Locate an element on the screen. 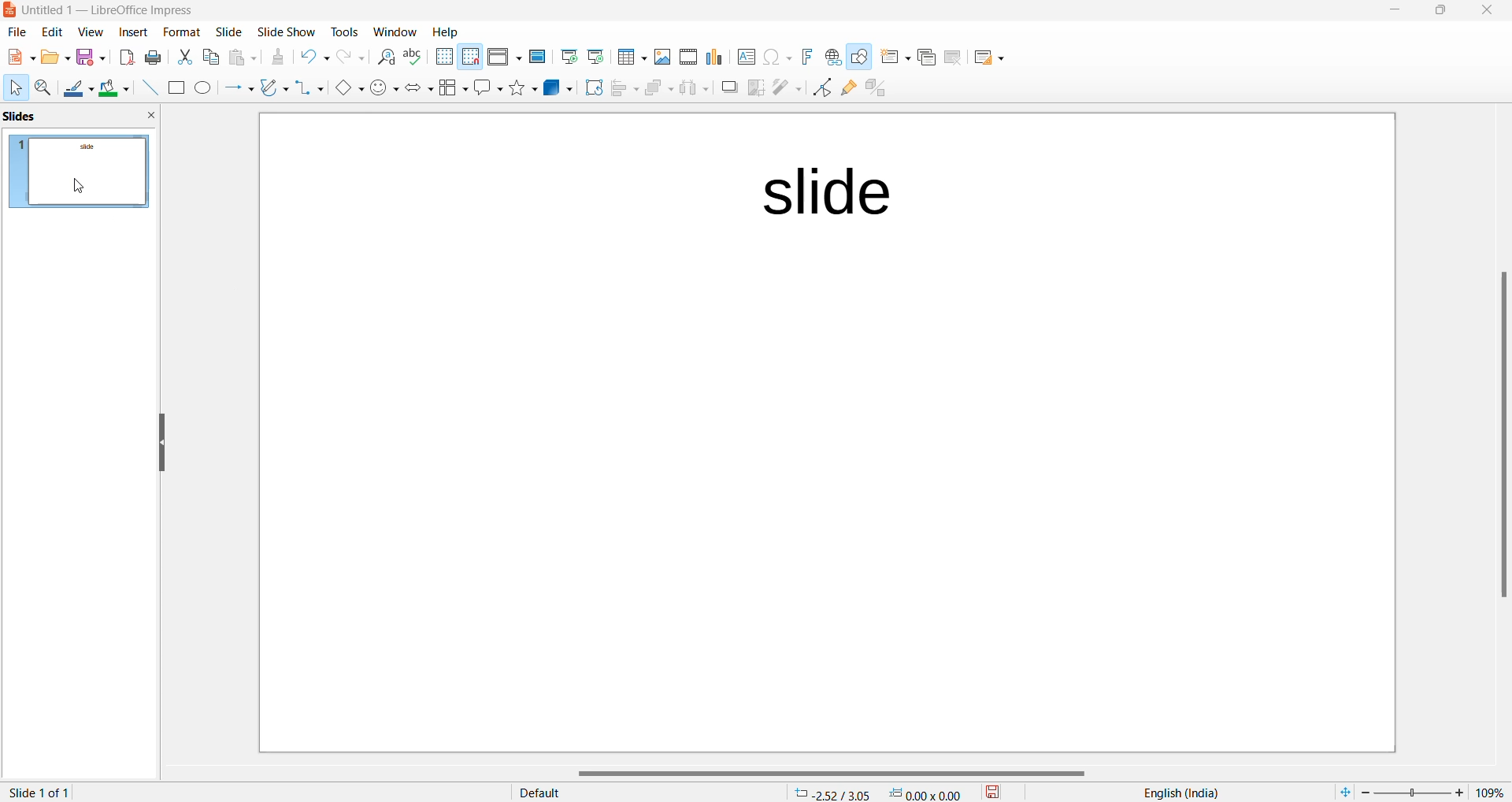 The height and width of the screenshot is (802, 1512). slide pane is located at coordinates (79, 118).